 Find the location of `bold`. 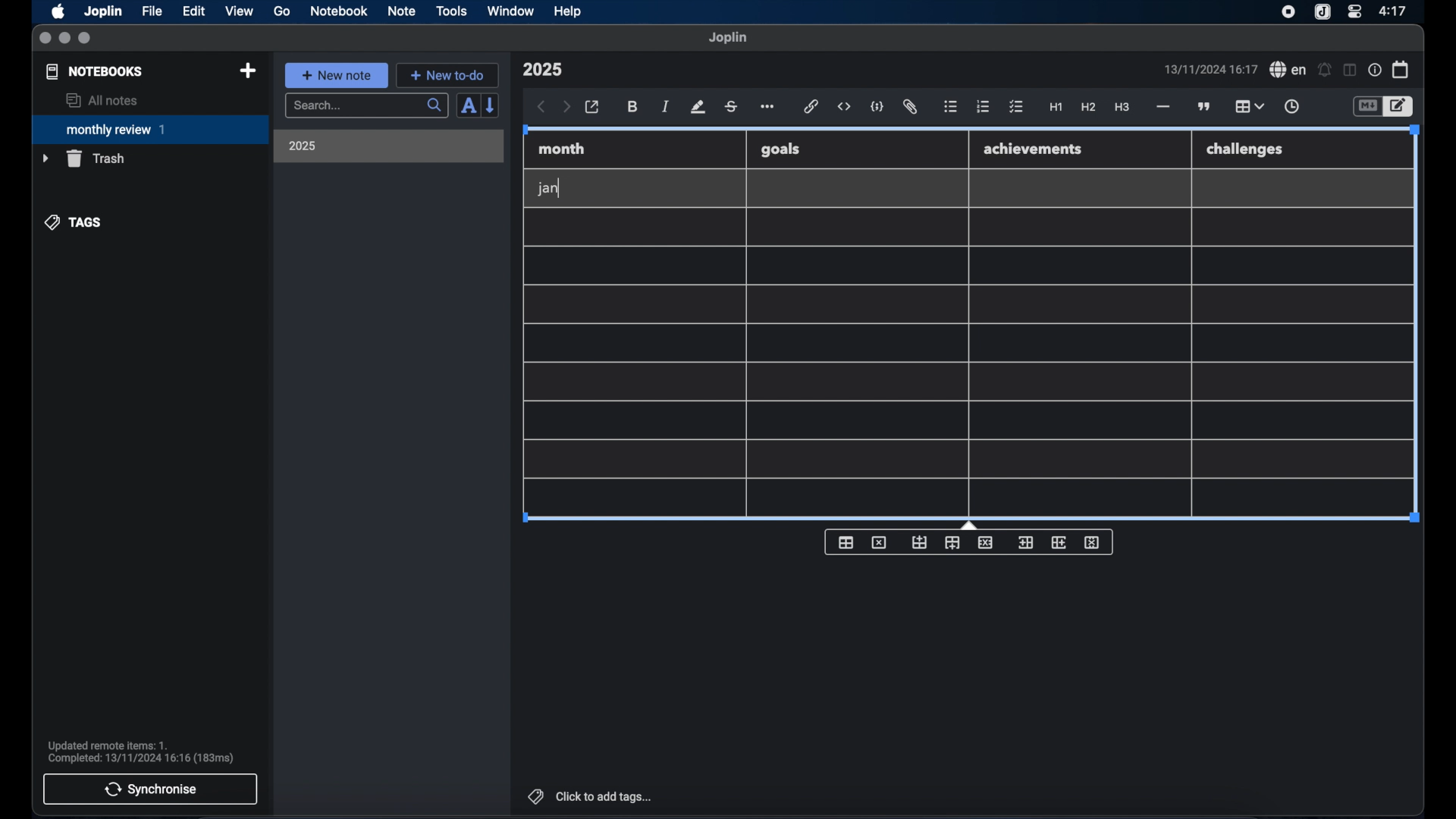

bold is located at coordinates (634, 107).